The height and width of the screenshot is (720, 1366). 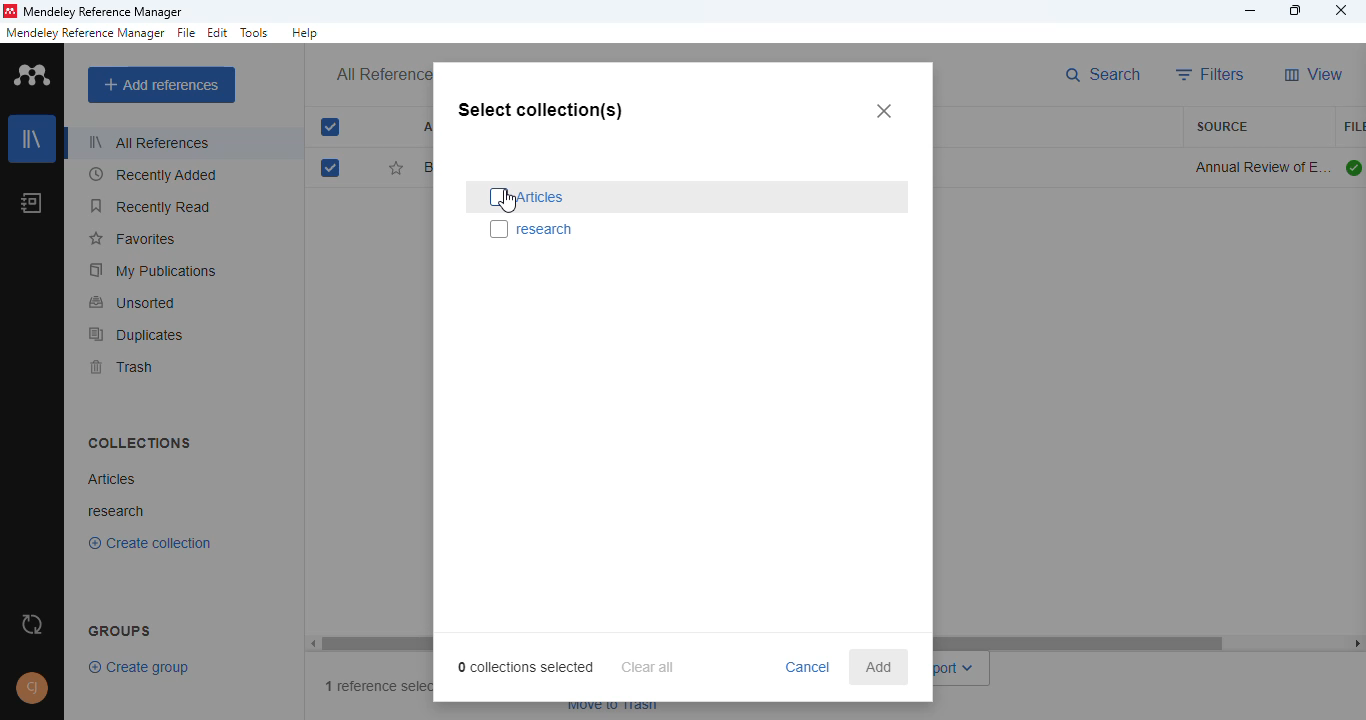 What do you see at coordinates (121, 510) in the screenshot?
I see `research` at bounding box center [121, 510].